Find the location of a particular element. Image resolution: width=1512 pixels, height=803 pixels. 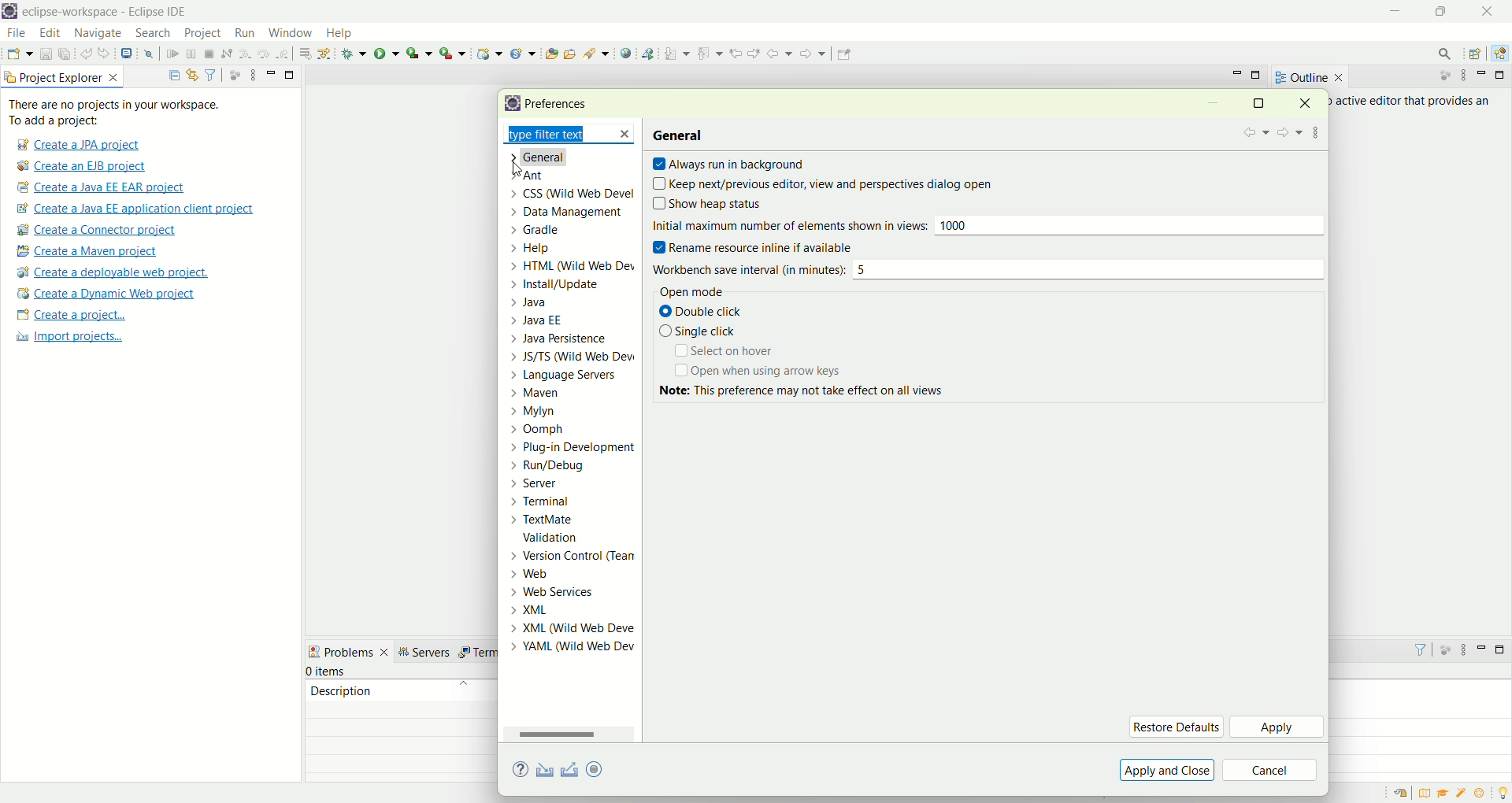

focus on active task is located at coordinates (1444, 649).